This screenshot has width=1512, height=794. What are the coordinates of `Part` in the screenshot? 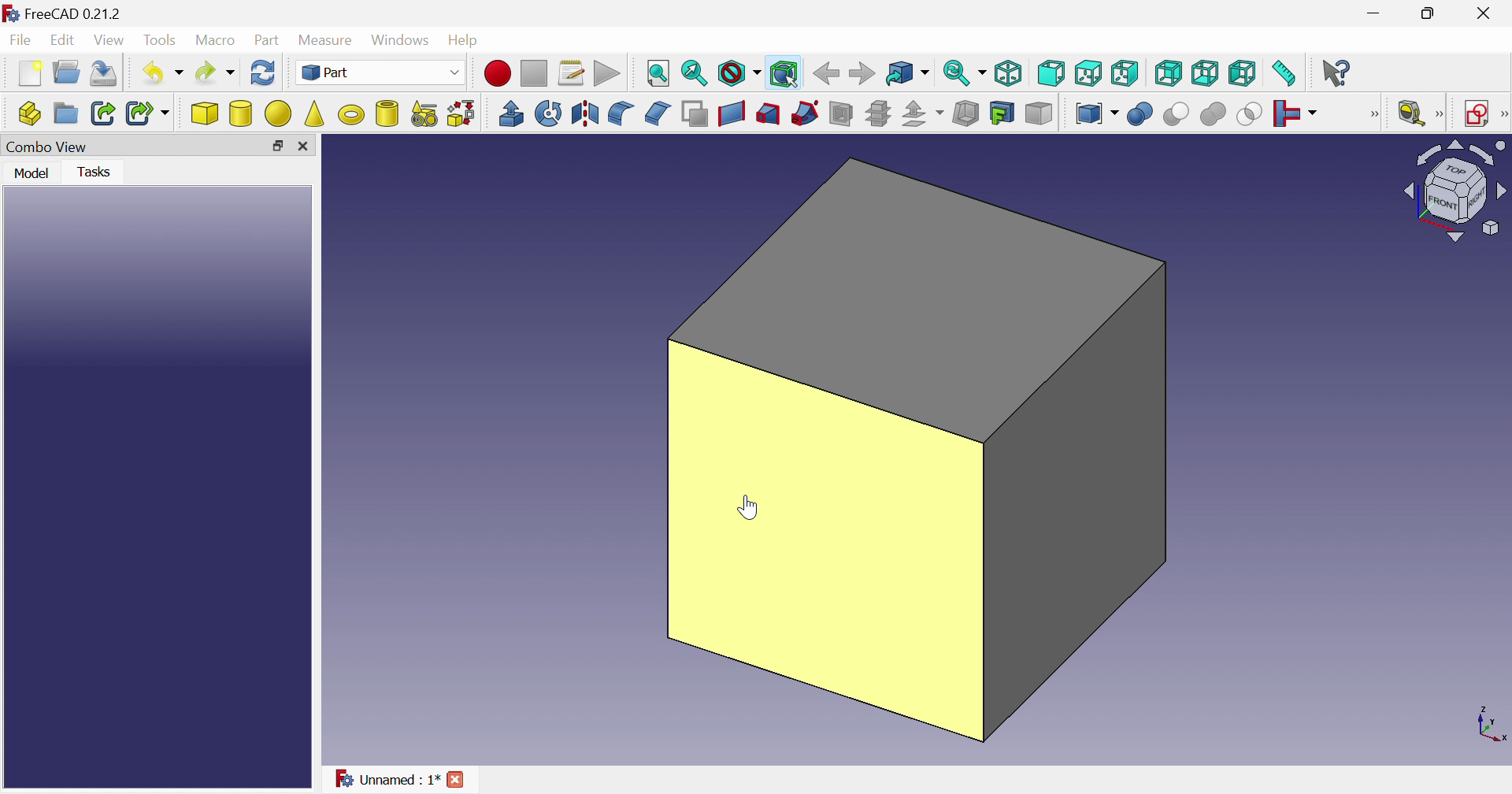 It's located at (267, 42).